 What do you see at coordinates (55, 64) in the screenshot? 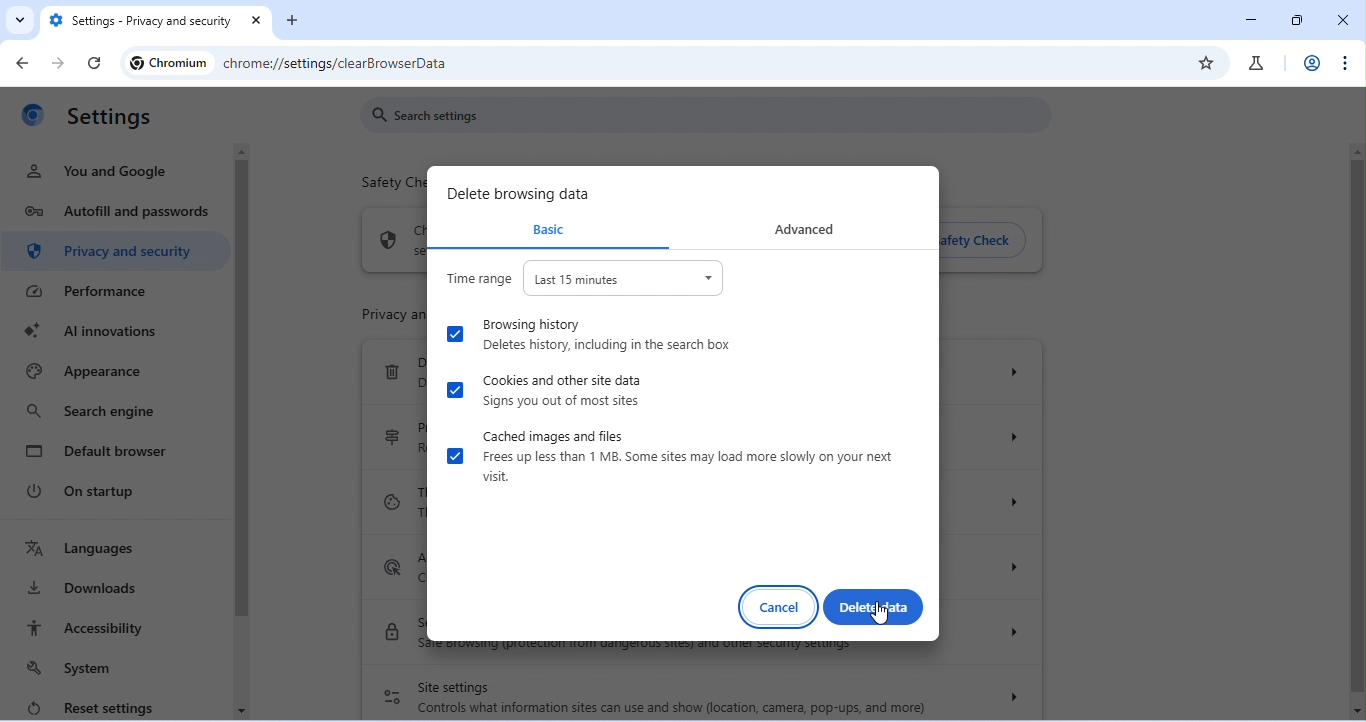
I see `forward` at bounding box center [55, 64].